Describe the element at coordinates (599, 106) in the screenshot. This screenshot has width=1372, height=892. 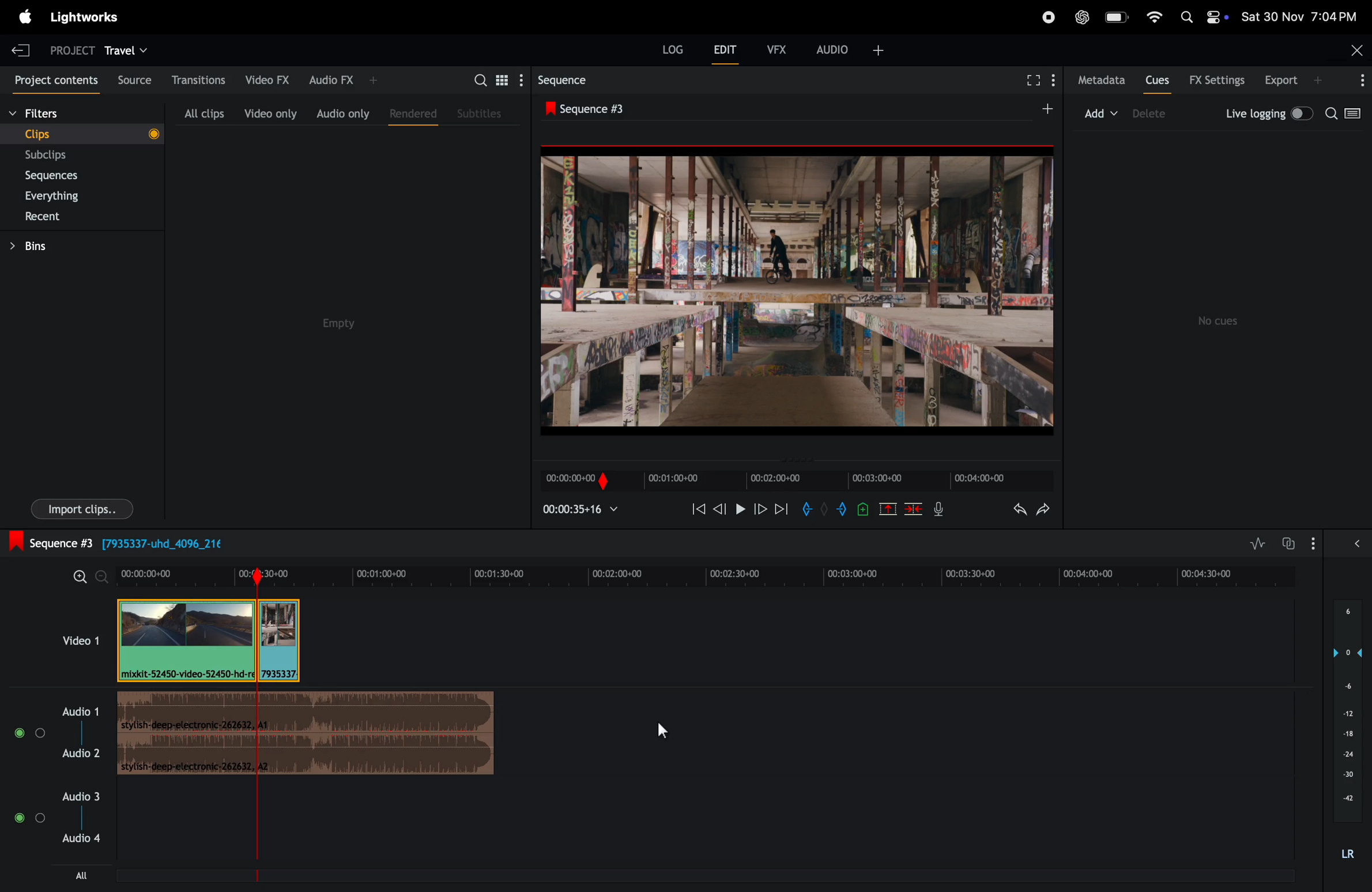
I see `sequence #3` at that location.